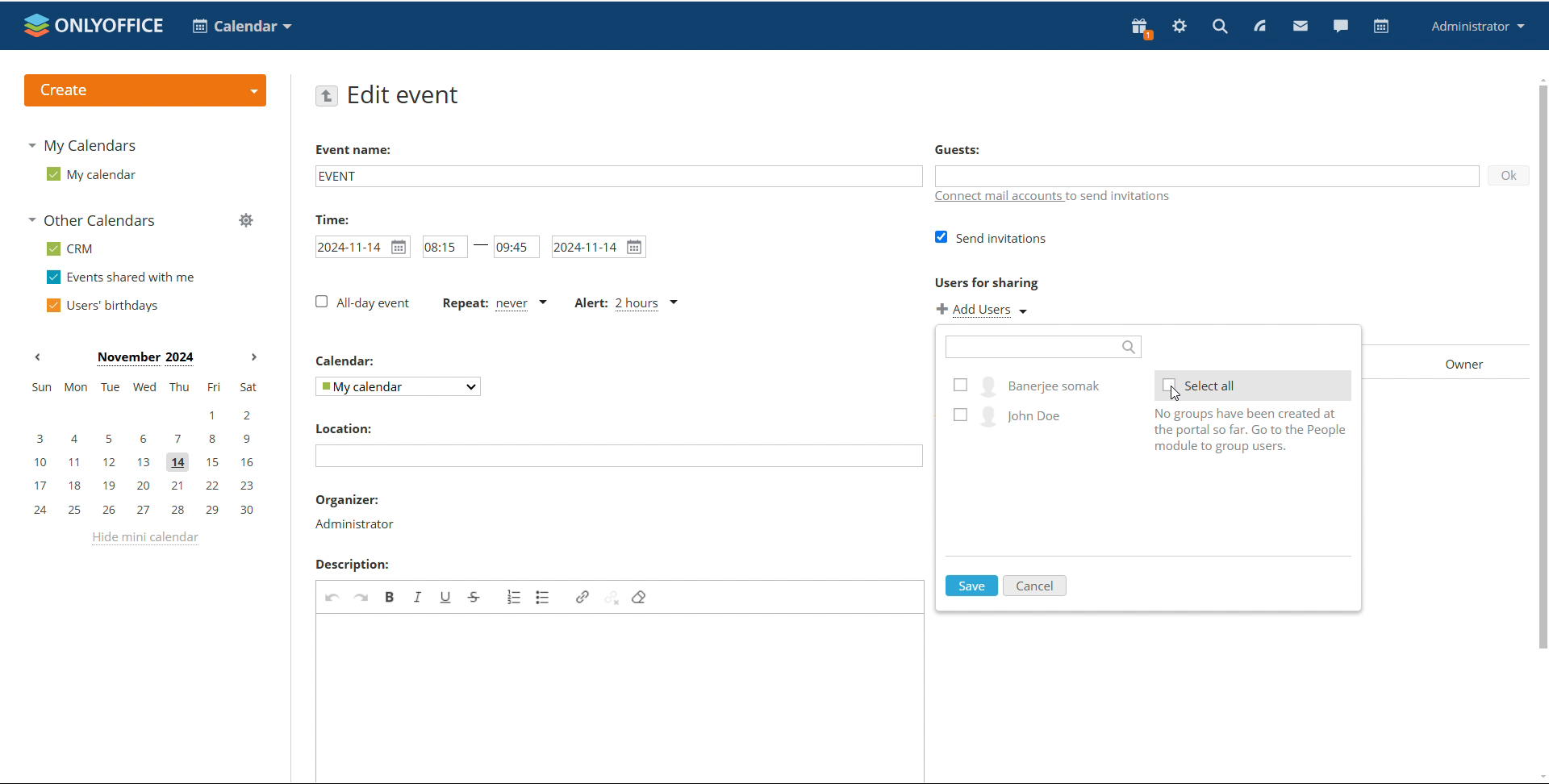 This screenshot has width=1549, height=784. Describe the element at coordinates (1465, 363) in the screenshot. I see `Owner` at that location.